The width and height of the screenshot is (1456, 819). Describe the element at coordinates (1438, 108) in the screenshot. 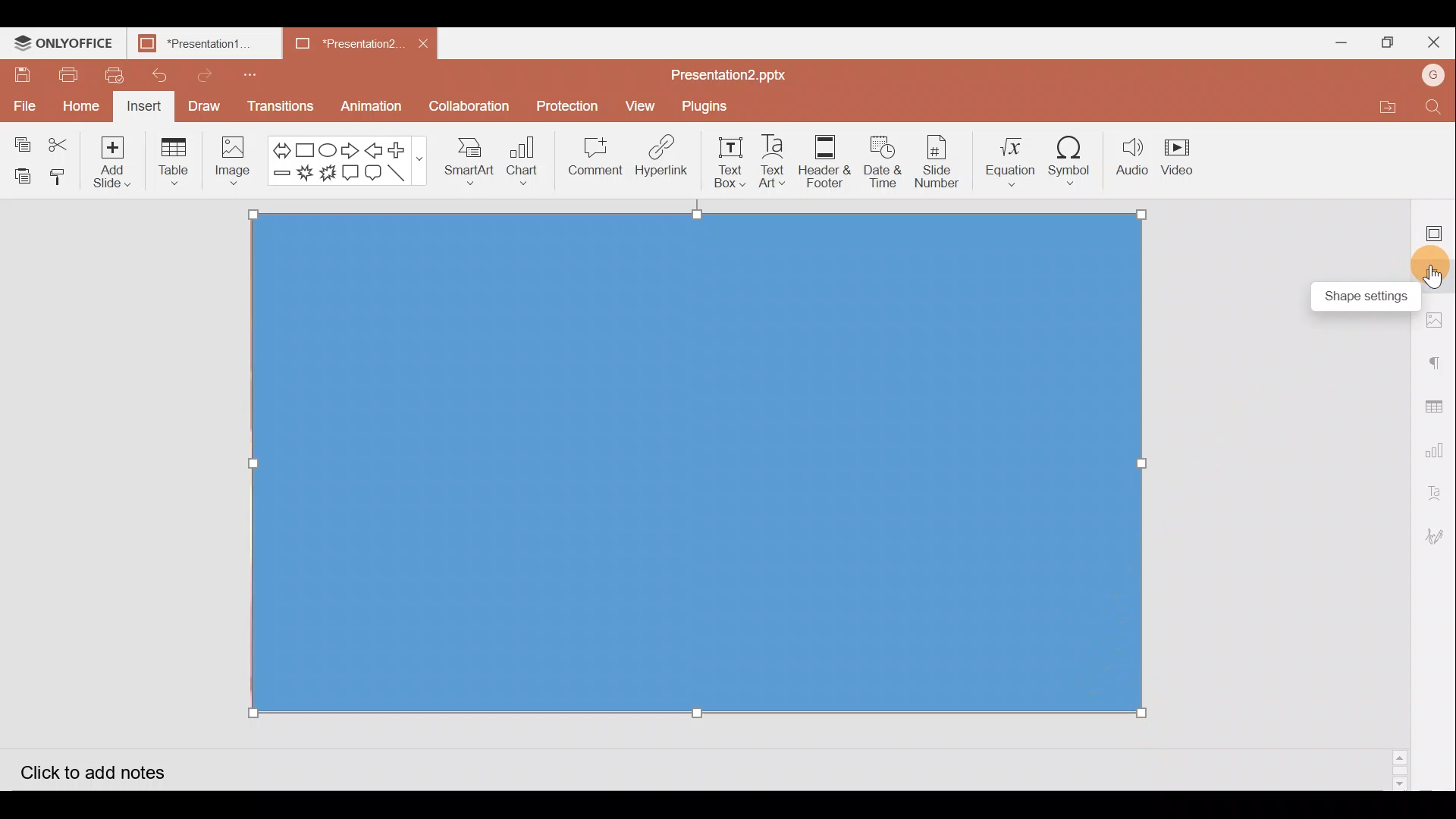

I see `Find` at that location.